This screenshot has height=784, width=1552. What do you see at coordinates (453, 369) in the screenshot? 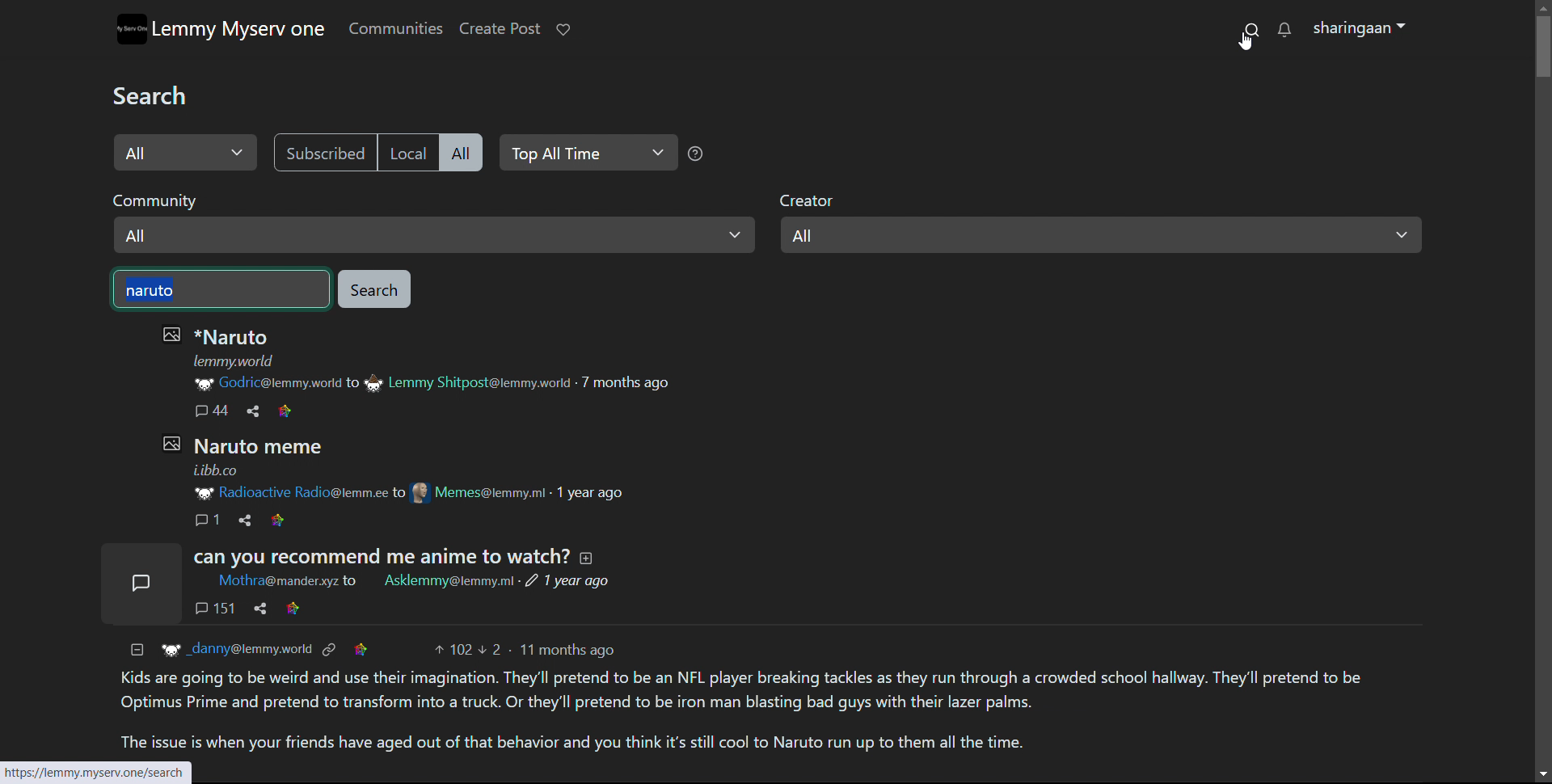
I see `Post related to Naruto` at bounding box center [453, 369].